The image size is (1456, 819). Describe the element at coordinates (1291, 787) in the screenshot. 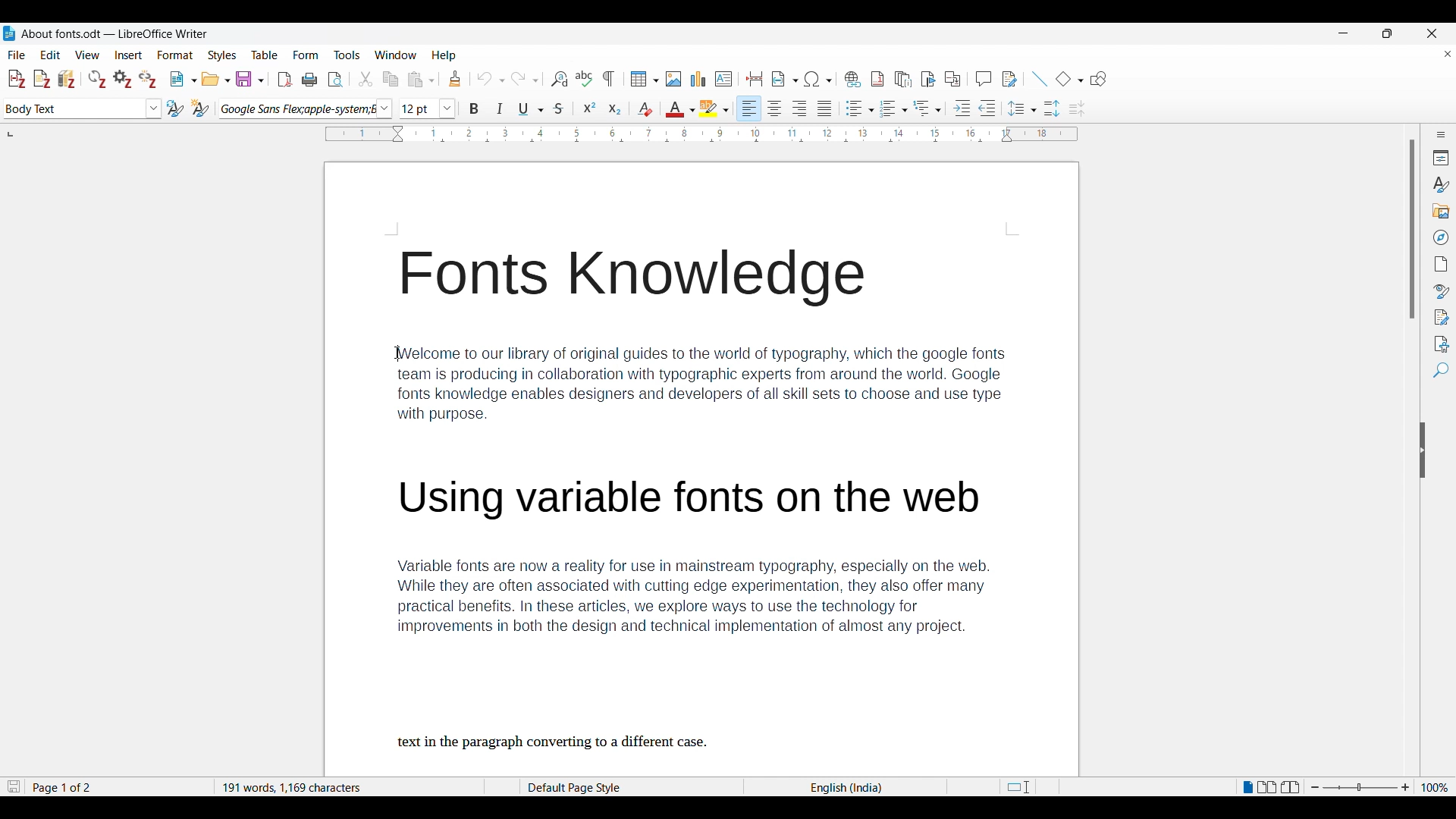

I see `Book view` at that location.